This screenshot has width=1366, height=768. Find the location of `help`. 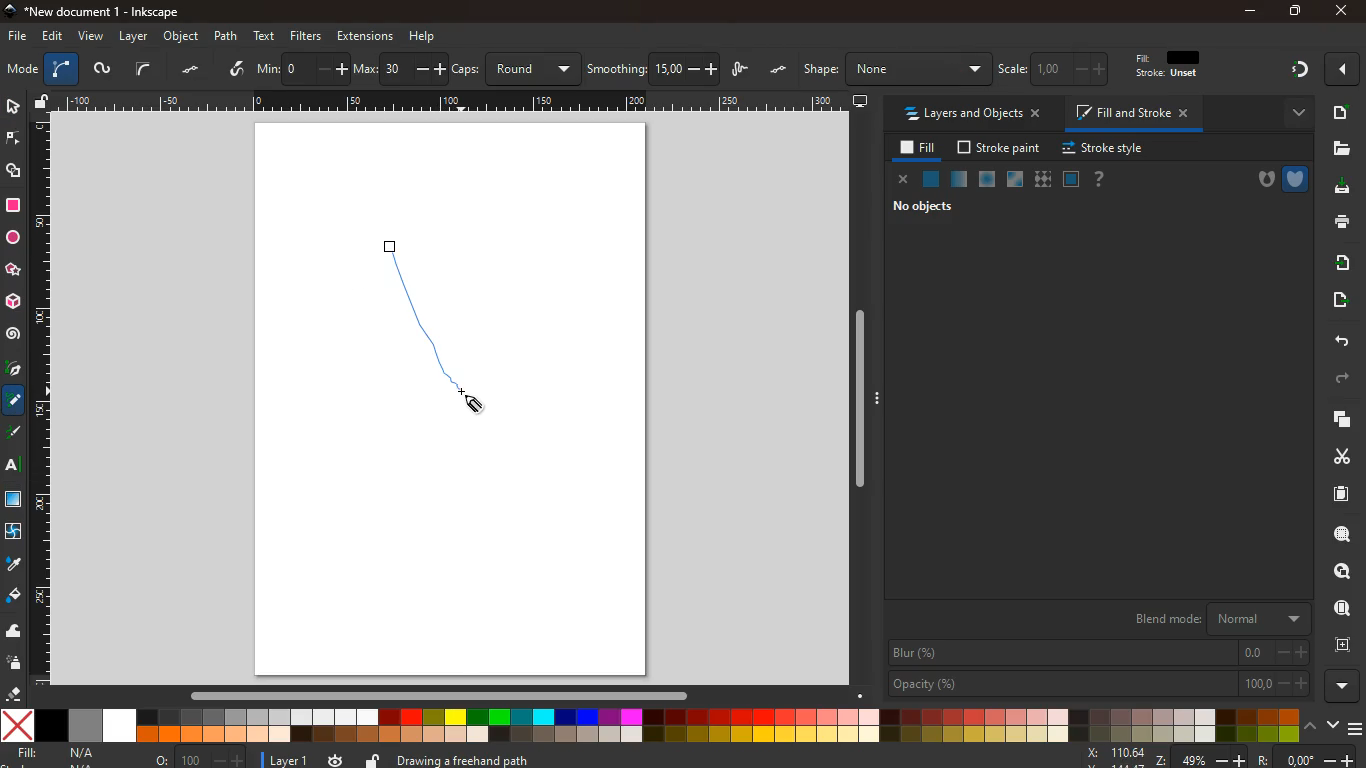

help is located at coordinates (423, 37).